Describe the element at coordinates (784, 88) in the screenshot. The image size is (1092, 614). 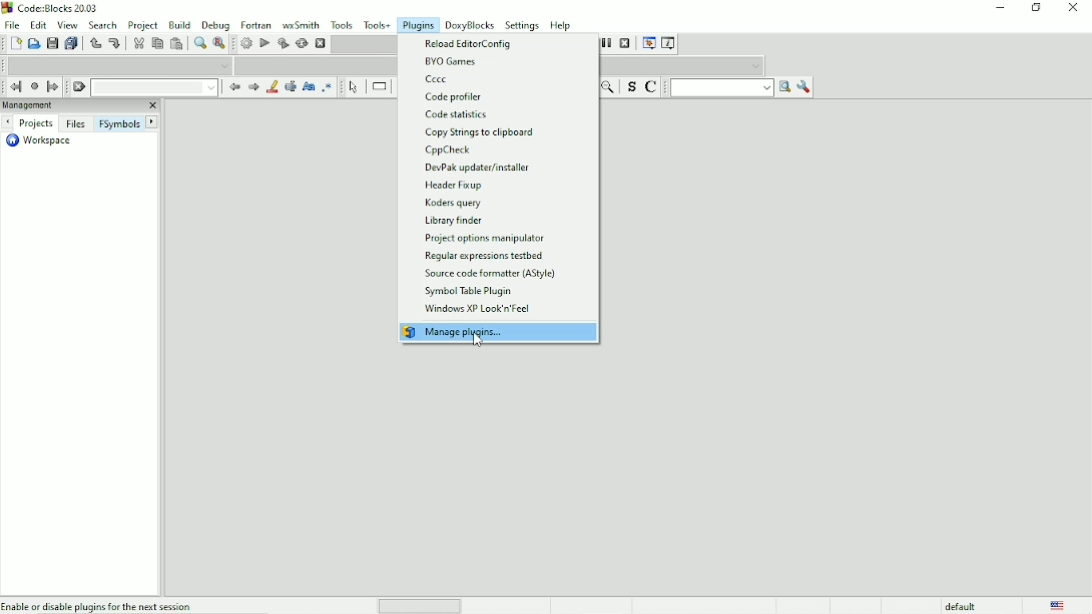
I see `Run search` at that location.